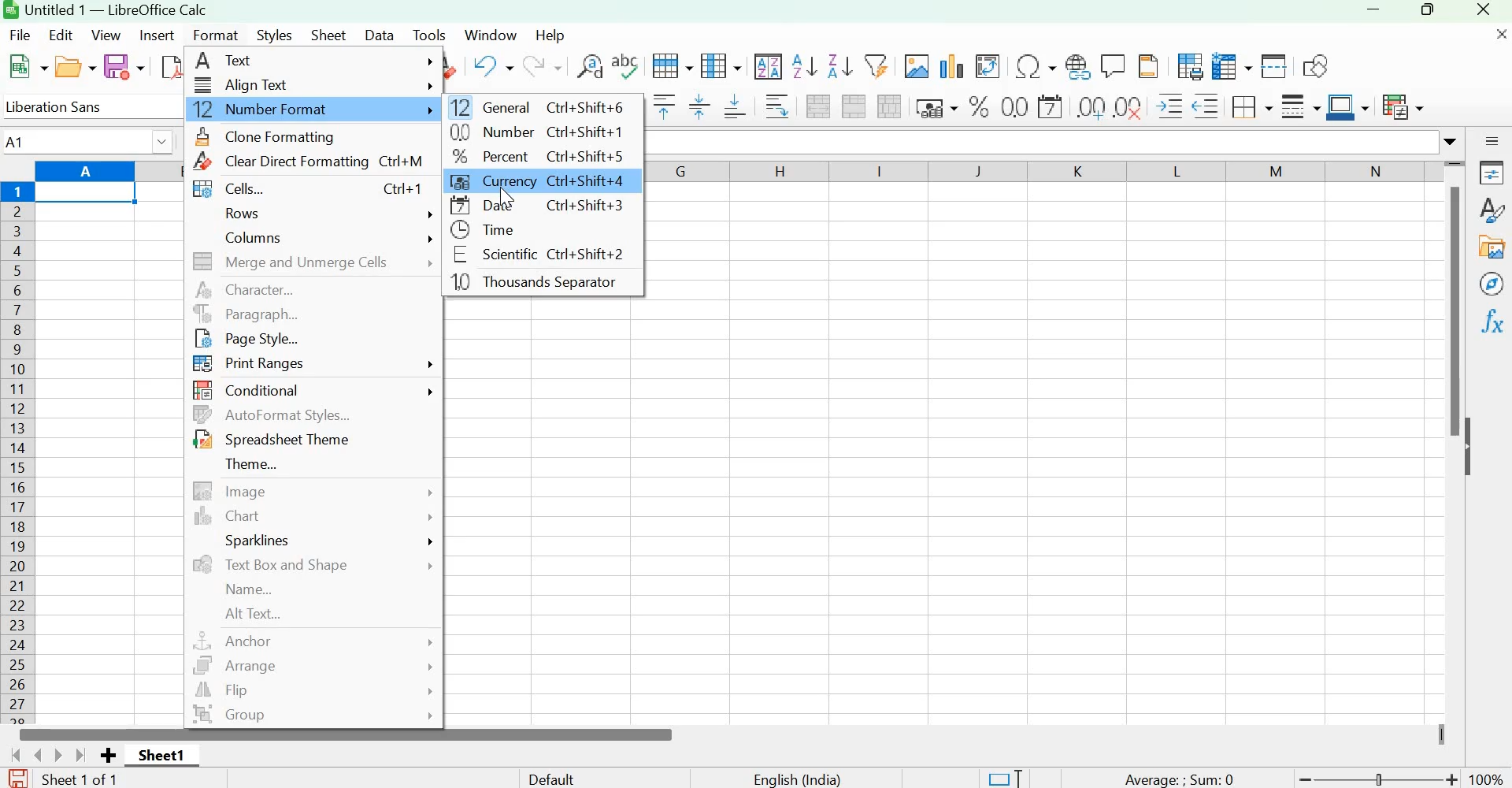 The height and width of the screenshot is (788, 1512). Describe the element at coordinates (110, 444) in the screenshot. I see `workspace` at that location.